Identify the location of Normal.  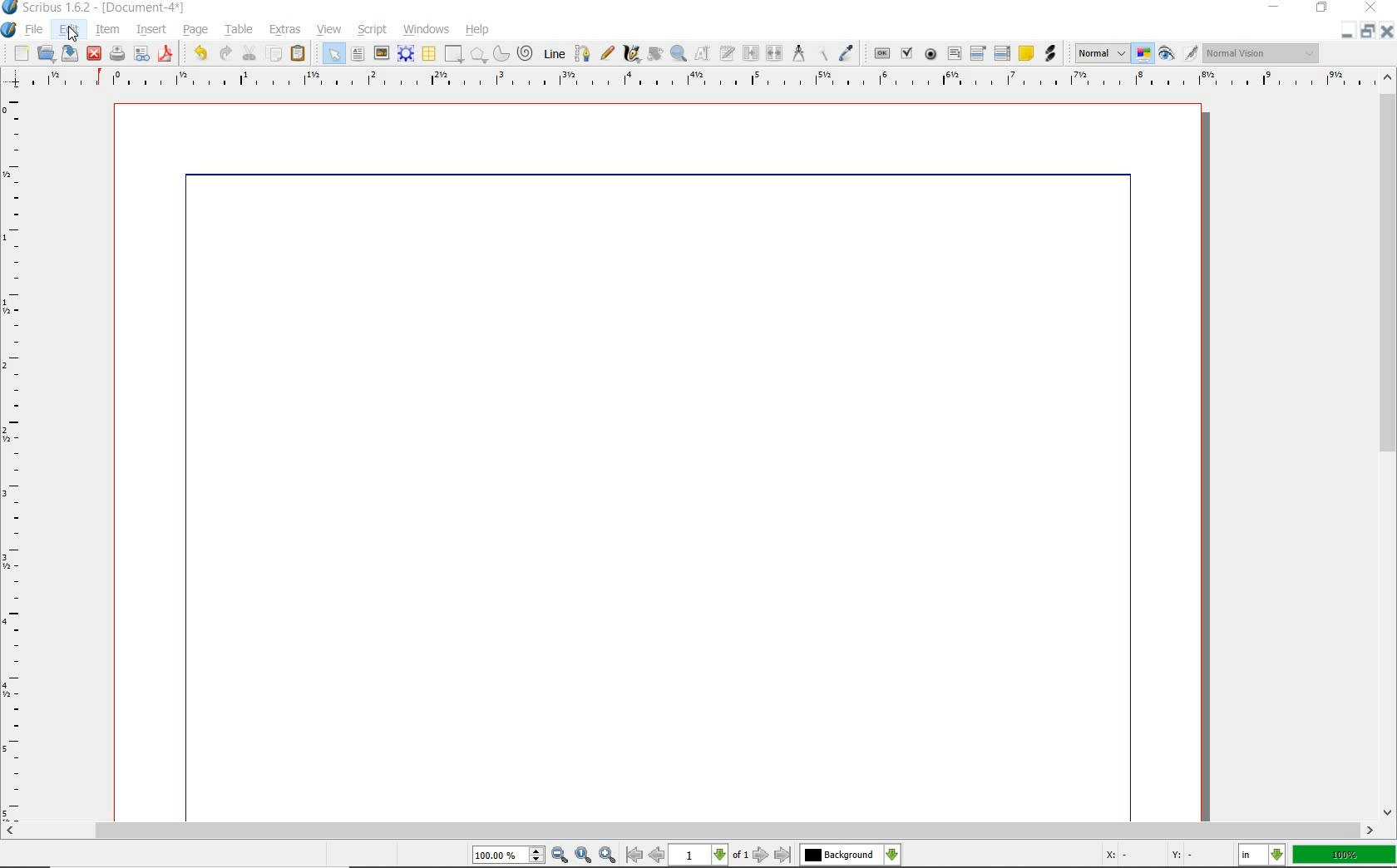
(1100, 53).